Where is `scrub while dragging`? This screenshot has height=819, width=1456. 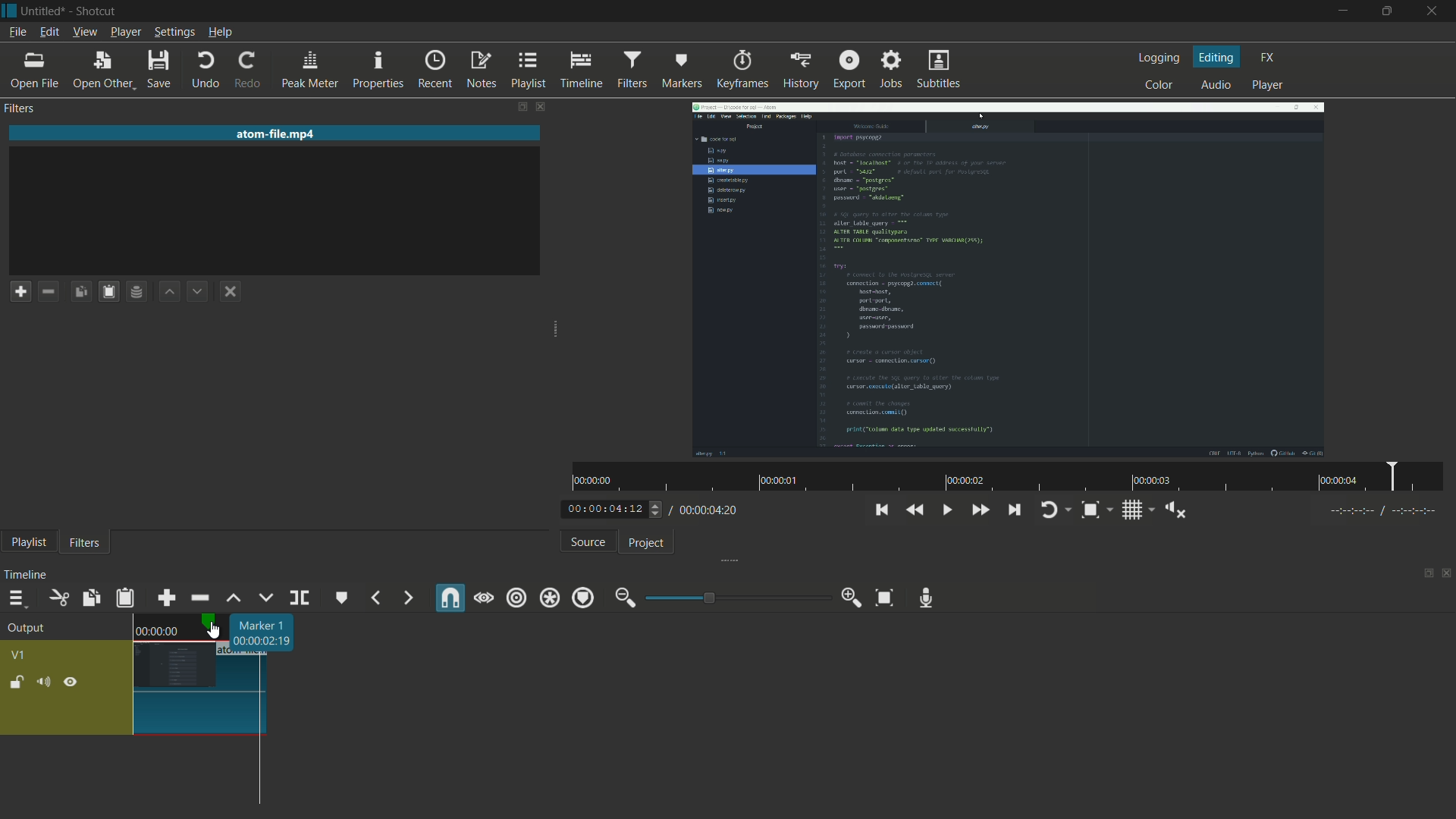 scrub while dragging is located at coordinates (485, 598).